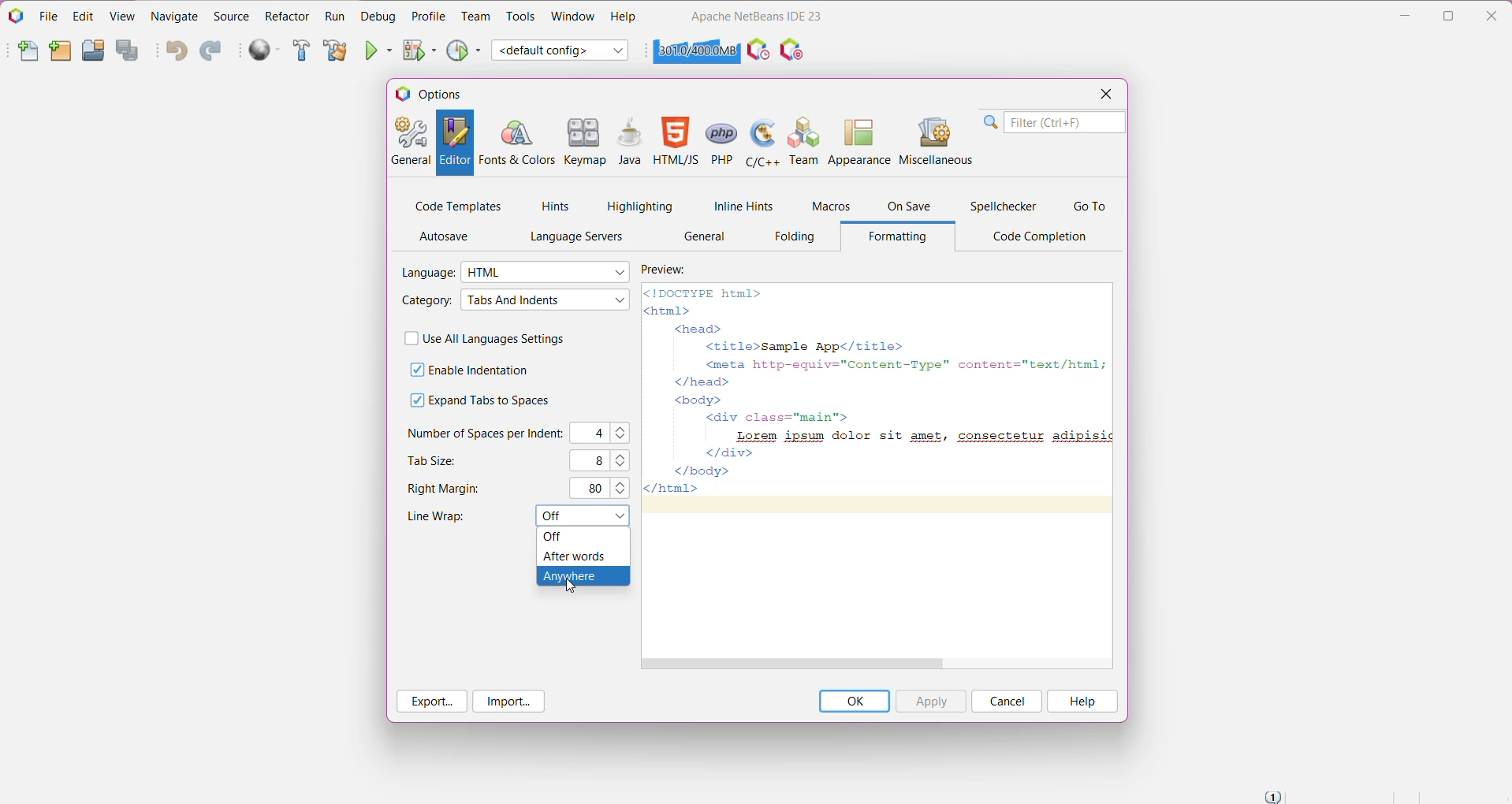 The image size is (1512, 804). I want to click on Select the required language, so click(547, 272).